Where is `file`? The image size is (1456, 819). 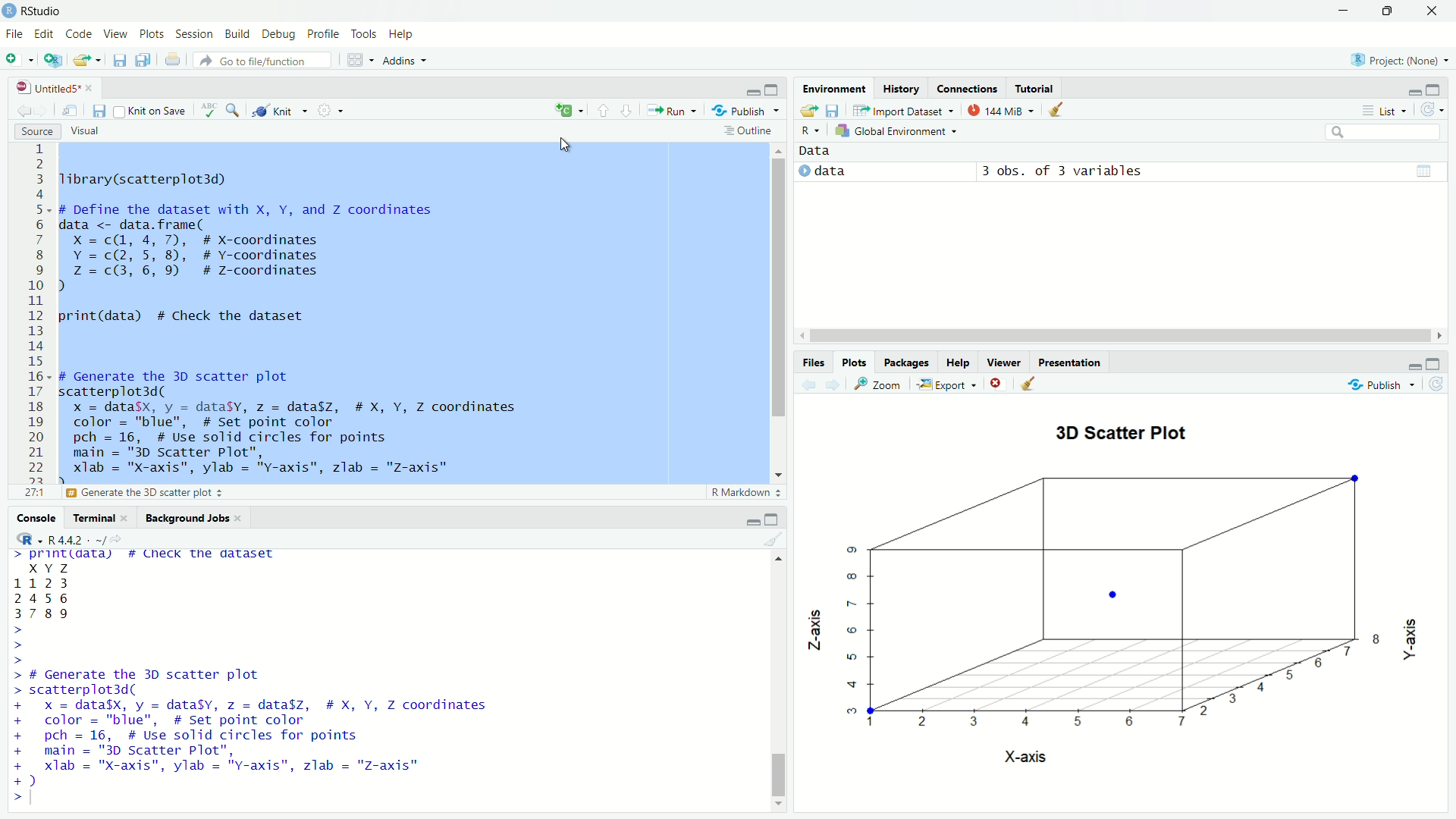
file is located at coordinates (12, 35).